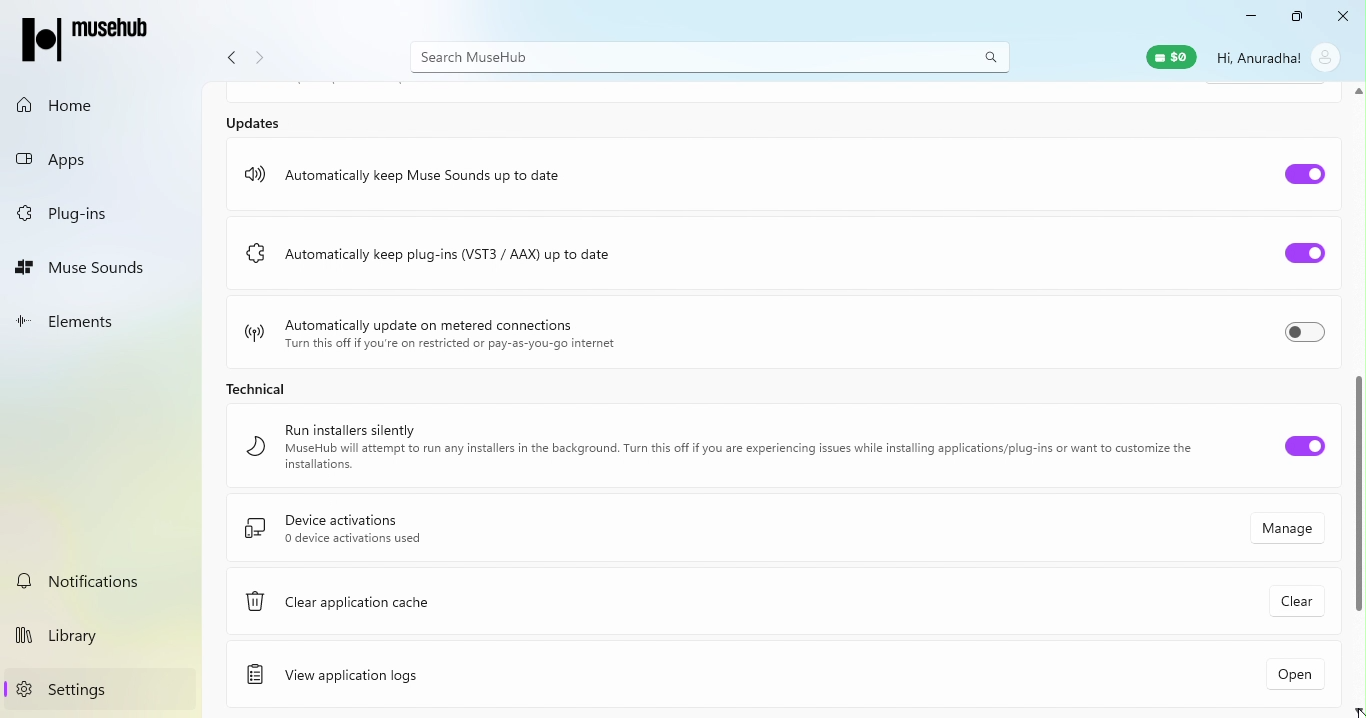  What do you see at coordinates (427, 250) in the screenshot?
I see `Automatically keep plug-ins (VST3/AAX) up to date` at bounding box center [427, 250].